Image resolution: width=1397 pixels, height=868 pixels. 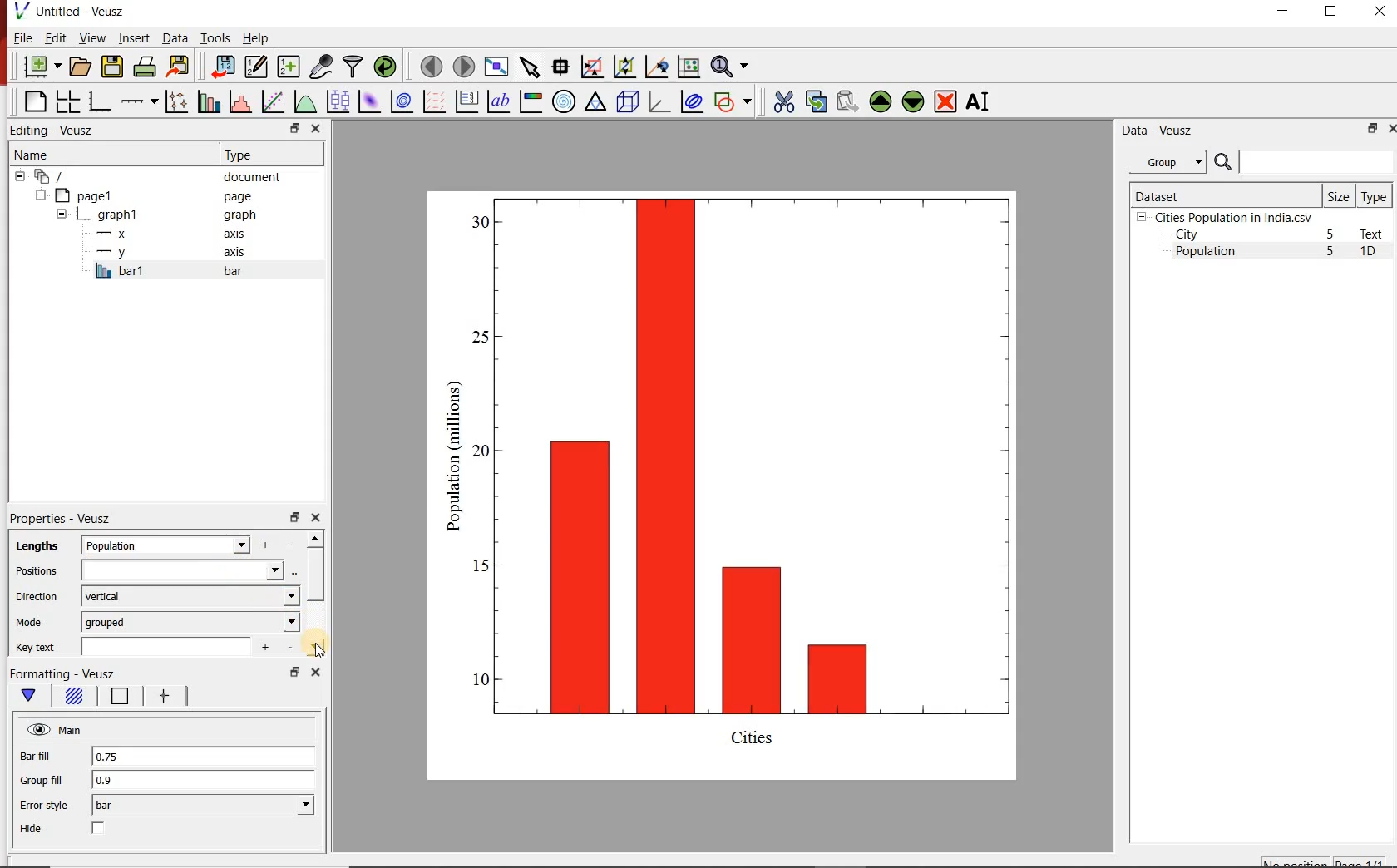 What do you see at coordinates (98, 101) in the screenshot?
I see `base graph` at bounding box center [98, 101].